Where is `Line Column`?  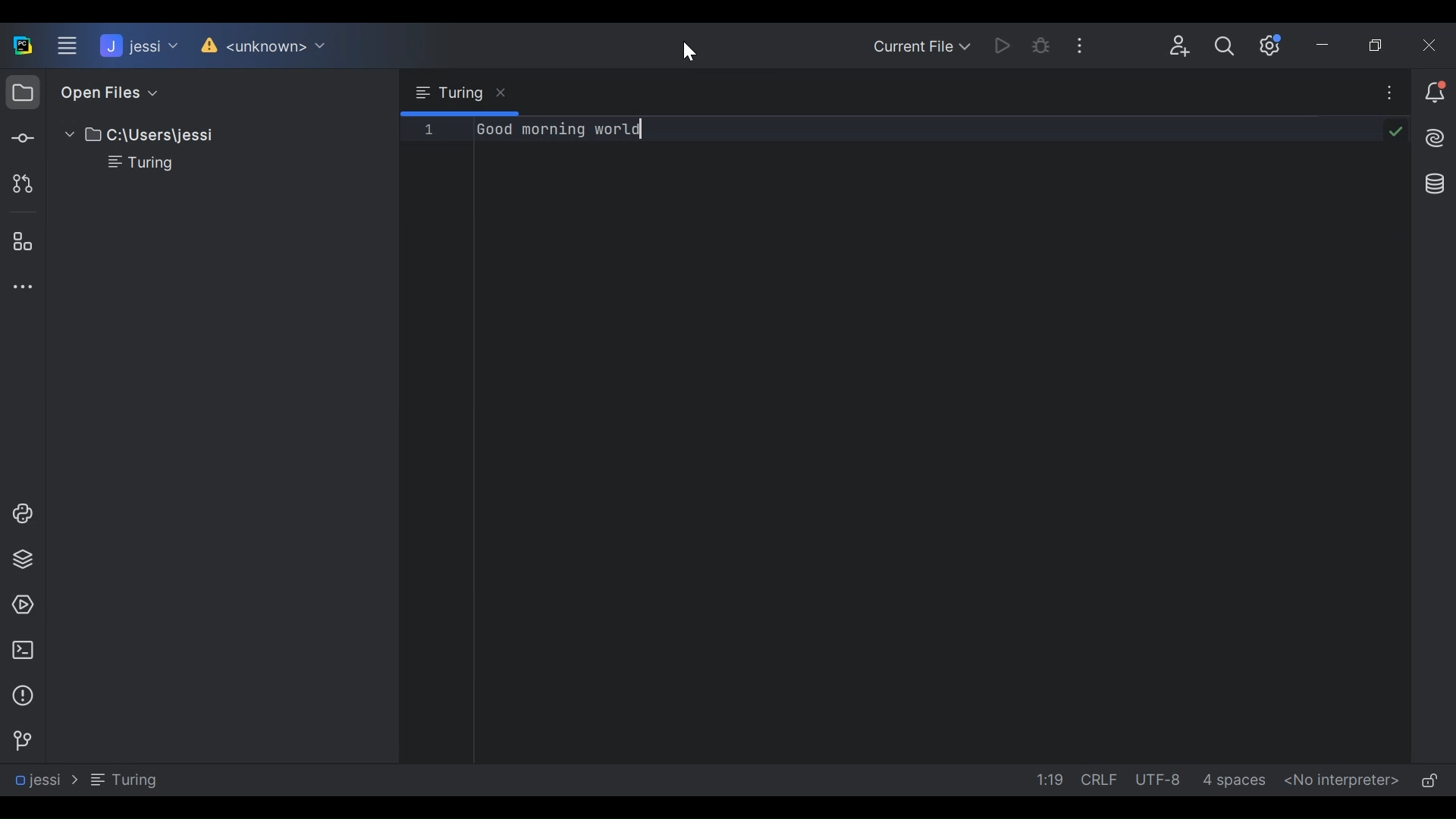 Line Column is located at coordinates (1047, 781).